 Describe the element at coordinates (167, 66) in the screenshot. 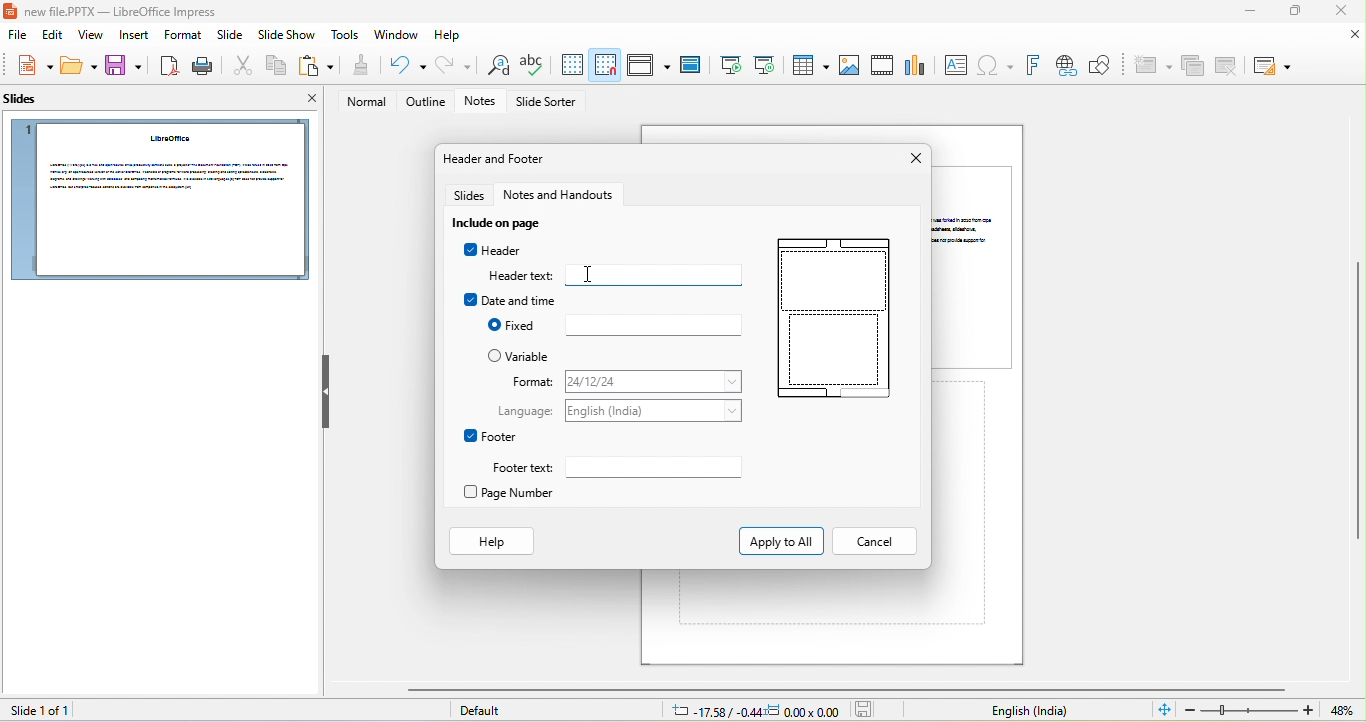

I see `export directly as pdf` at that location.